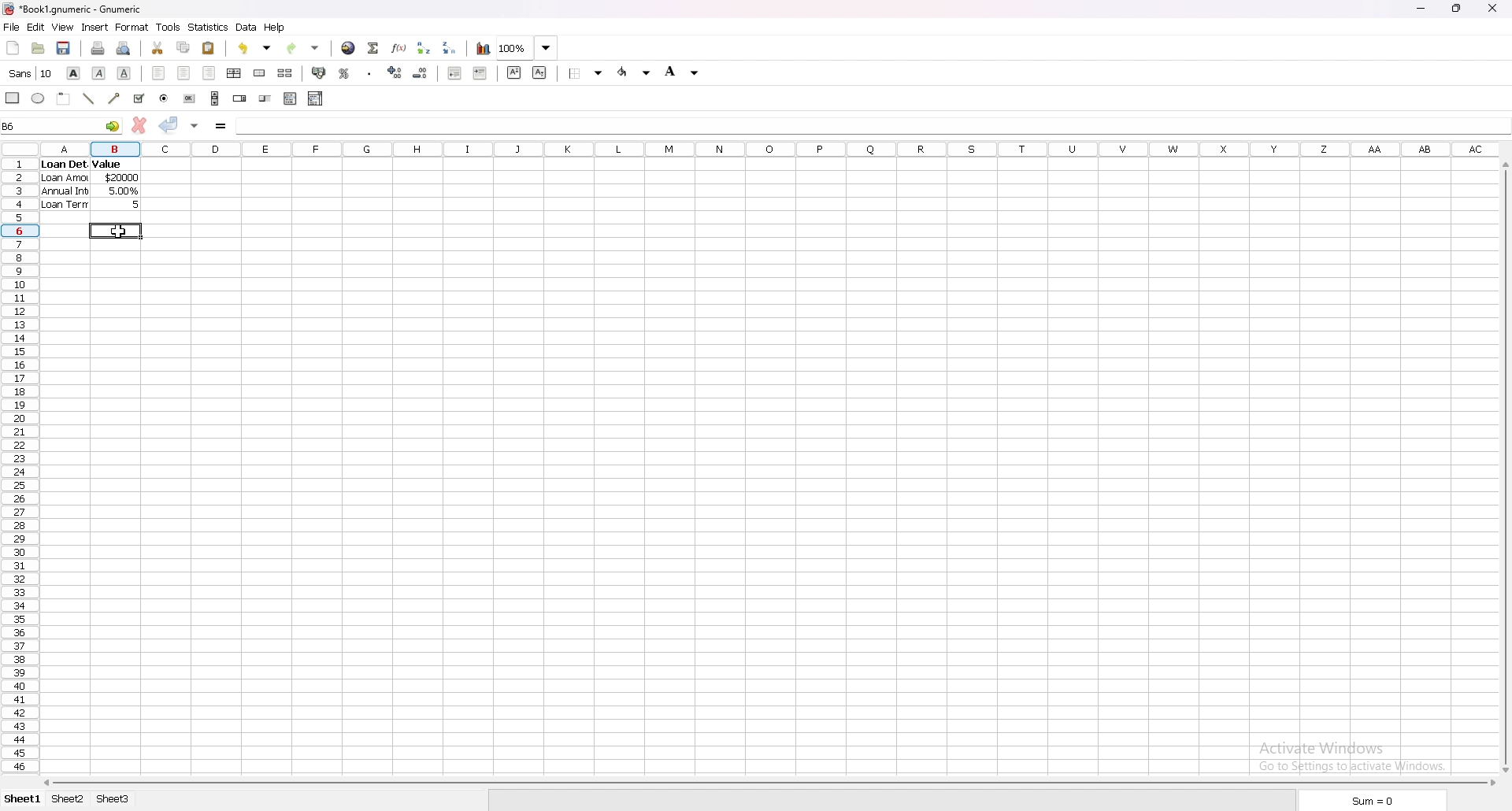 Image resolution: width=1512 pixels, height=811 pixels. Describe the element at coordinates (124, 47) in the screenshot. I see `print preview` at that location.